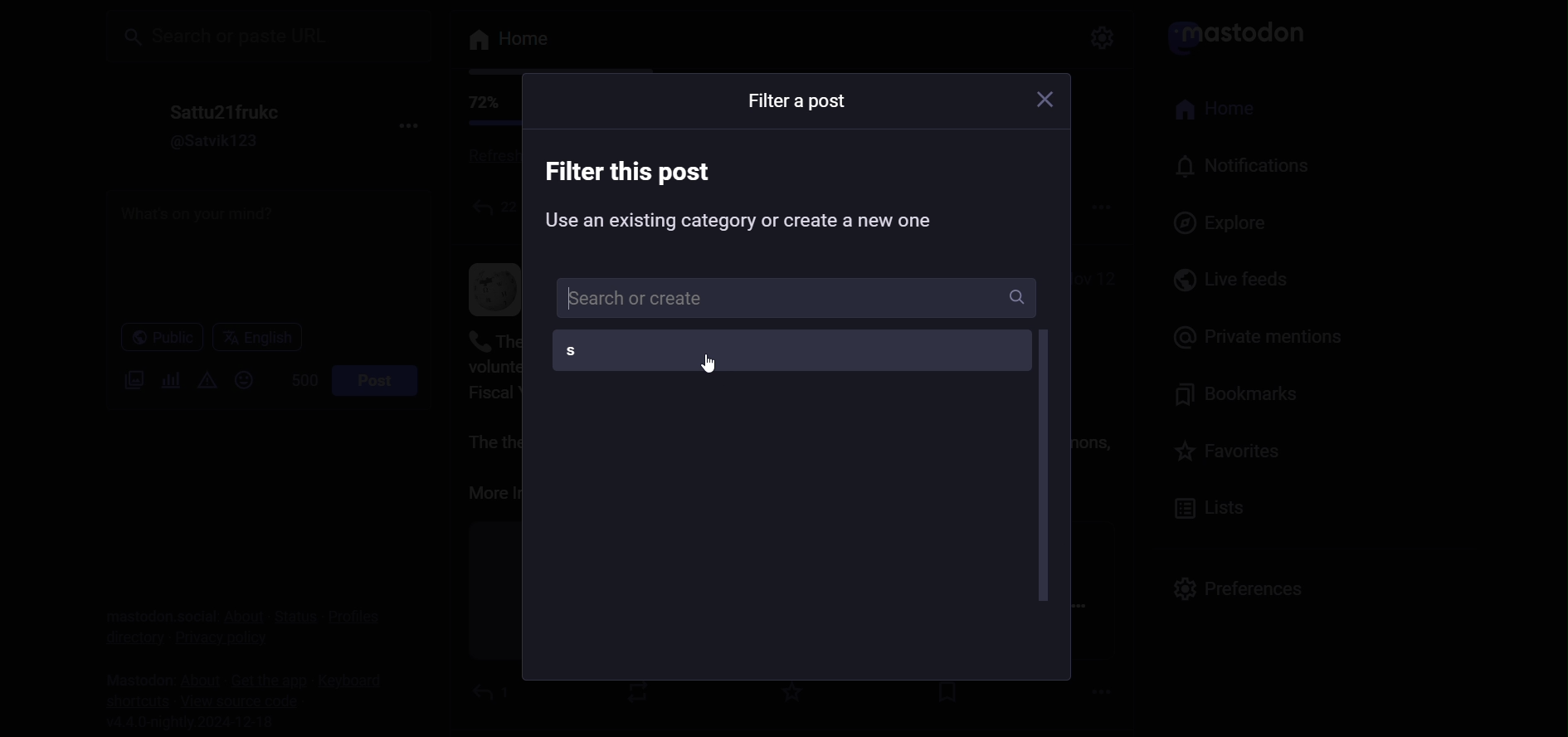  What do you see at coordinates (1226, 111) in the screenshot?
I see `home` at bounding box center [1226, 111].